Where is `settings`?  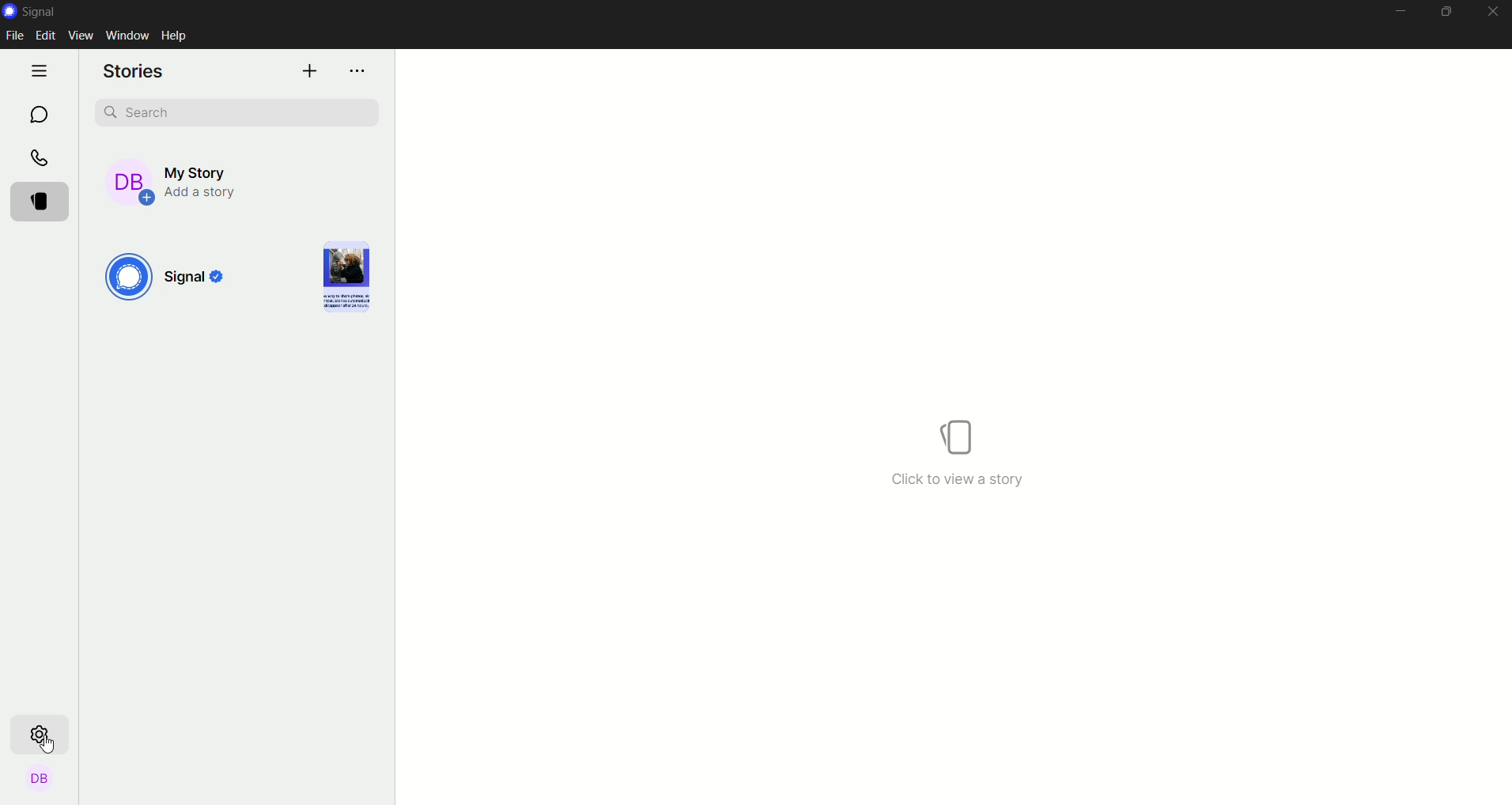 settings is located at coordinates (43, 733).